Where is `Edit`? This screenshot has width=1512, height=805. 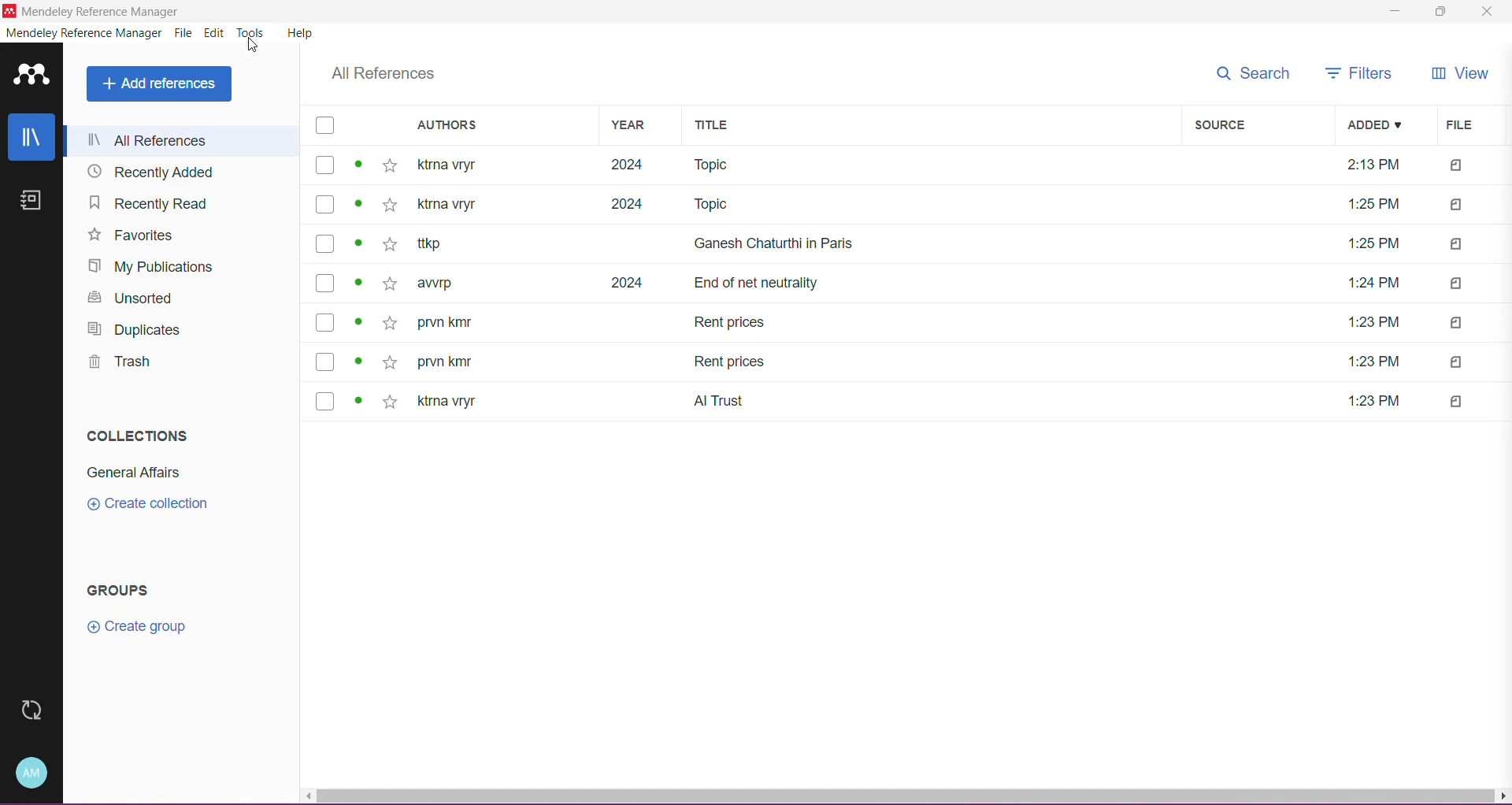
Edit is located at coordinates (215, 33).